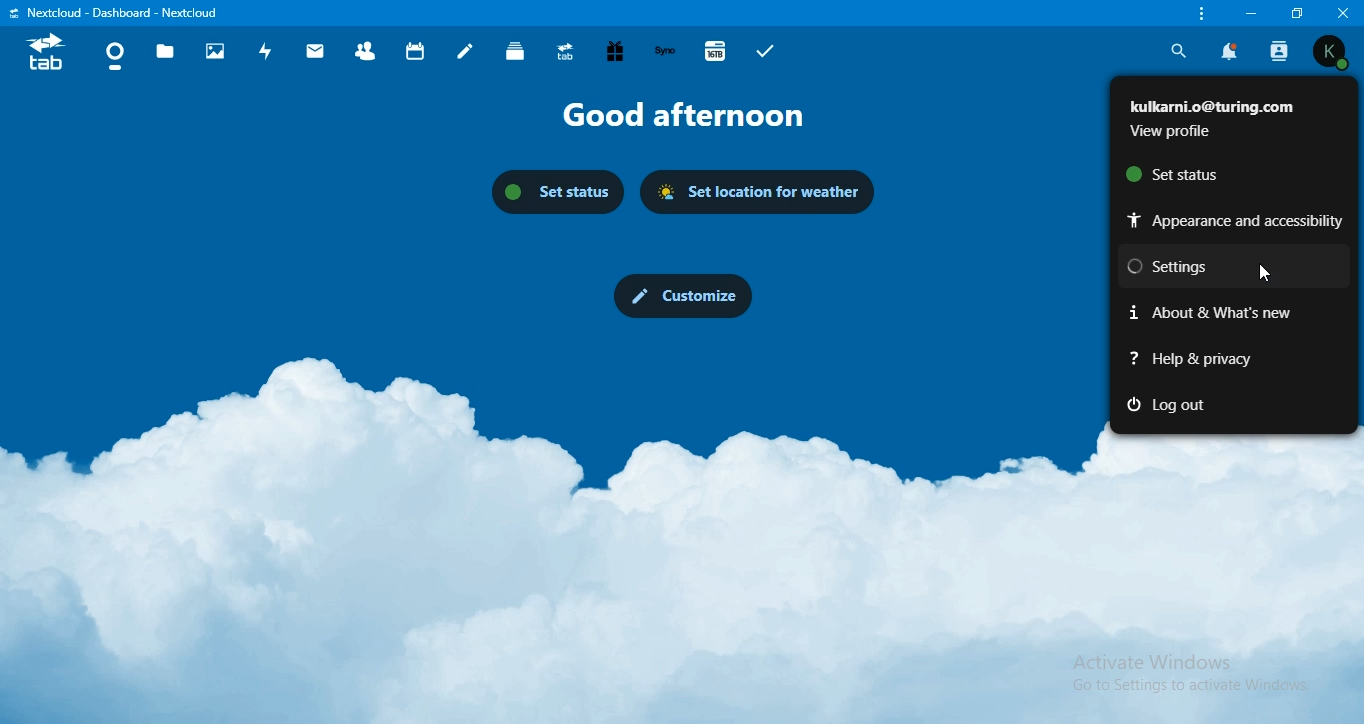 Image resolution: width=1364 pixels, height=724 pixels. What do you see at coordinates (165, 54) in the screenshot?
I see `files` at bounding box center [165, 54].